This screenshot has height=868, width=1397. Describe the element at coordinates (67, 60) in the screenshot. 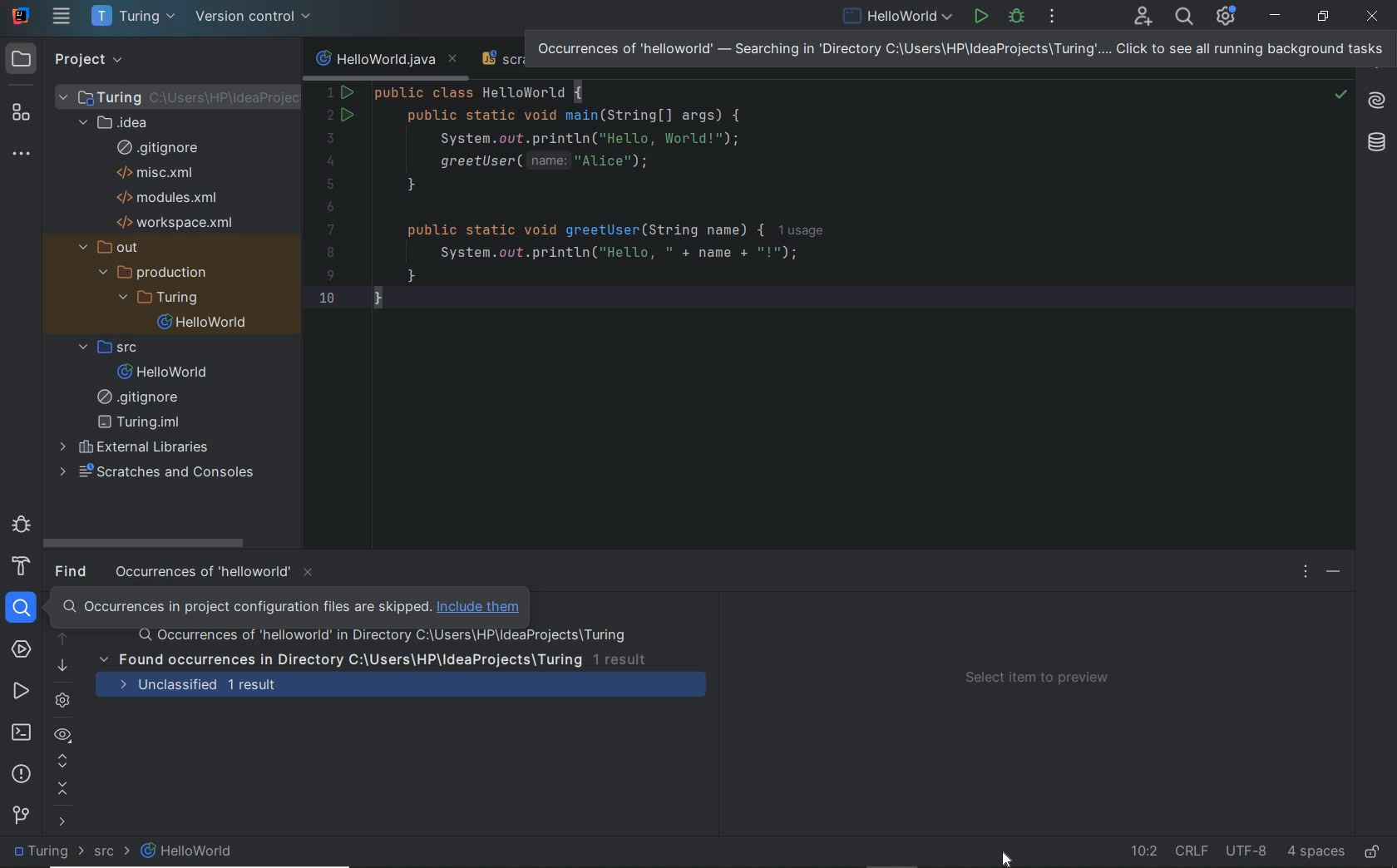

I see `project` at that location.